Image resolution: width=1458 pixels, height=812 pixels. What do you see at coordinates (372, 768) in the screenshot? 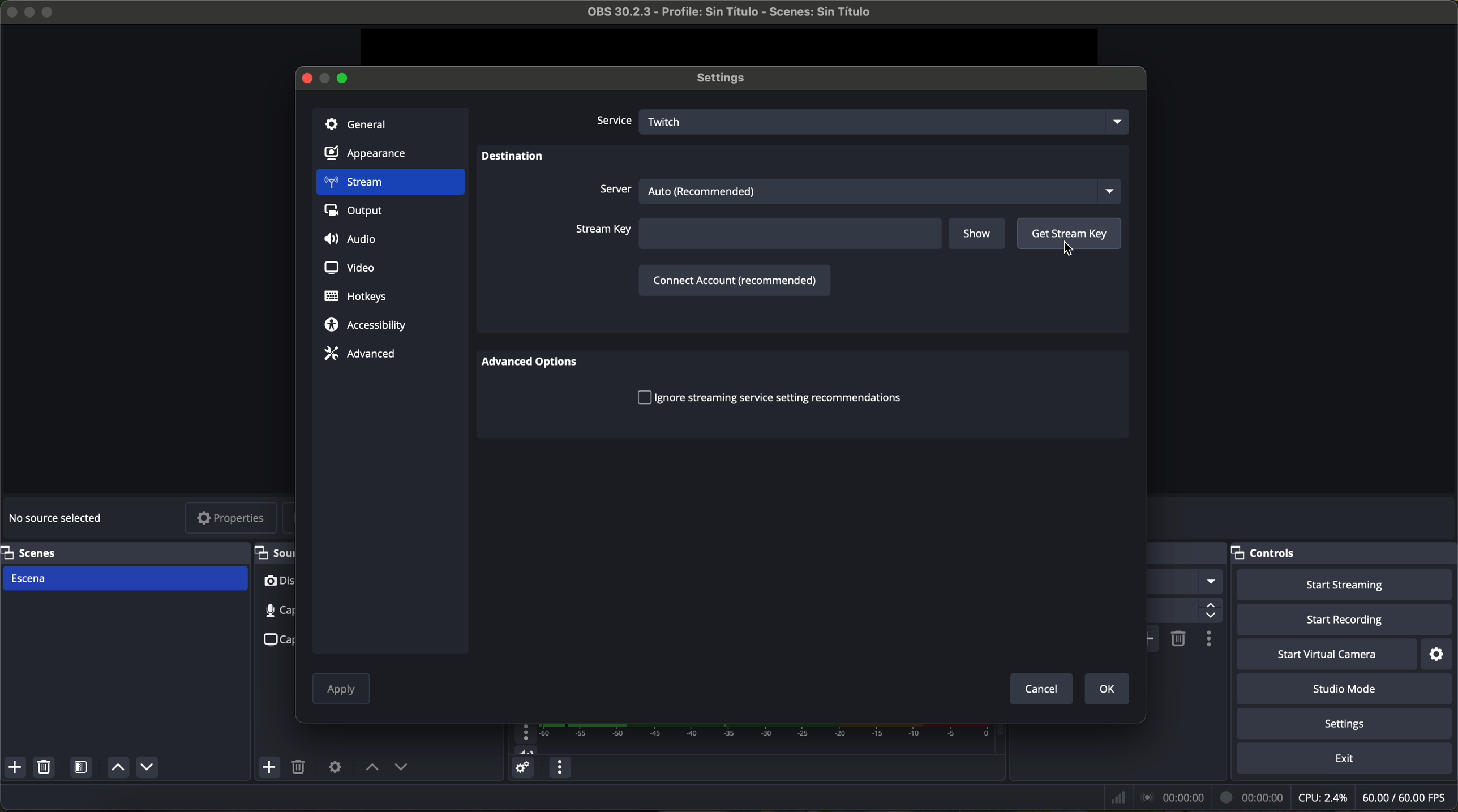
I see `move source up` at bounding box center [372, 768].